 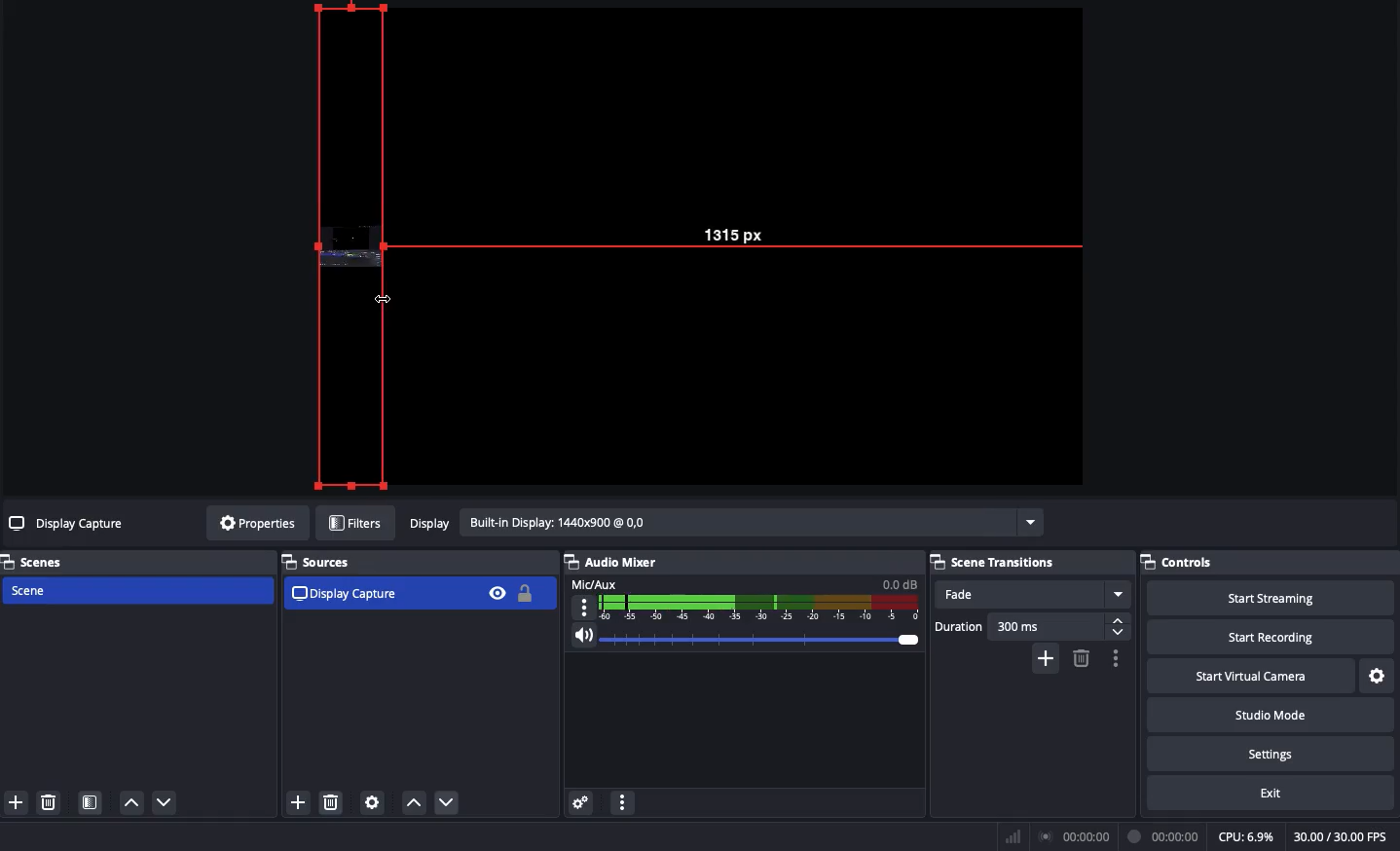 I want to click on Mic/Aux, so click(x=742, y=598).